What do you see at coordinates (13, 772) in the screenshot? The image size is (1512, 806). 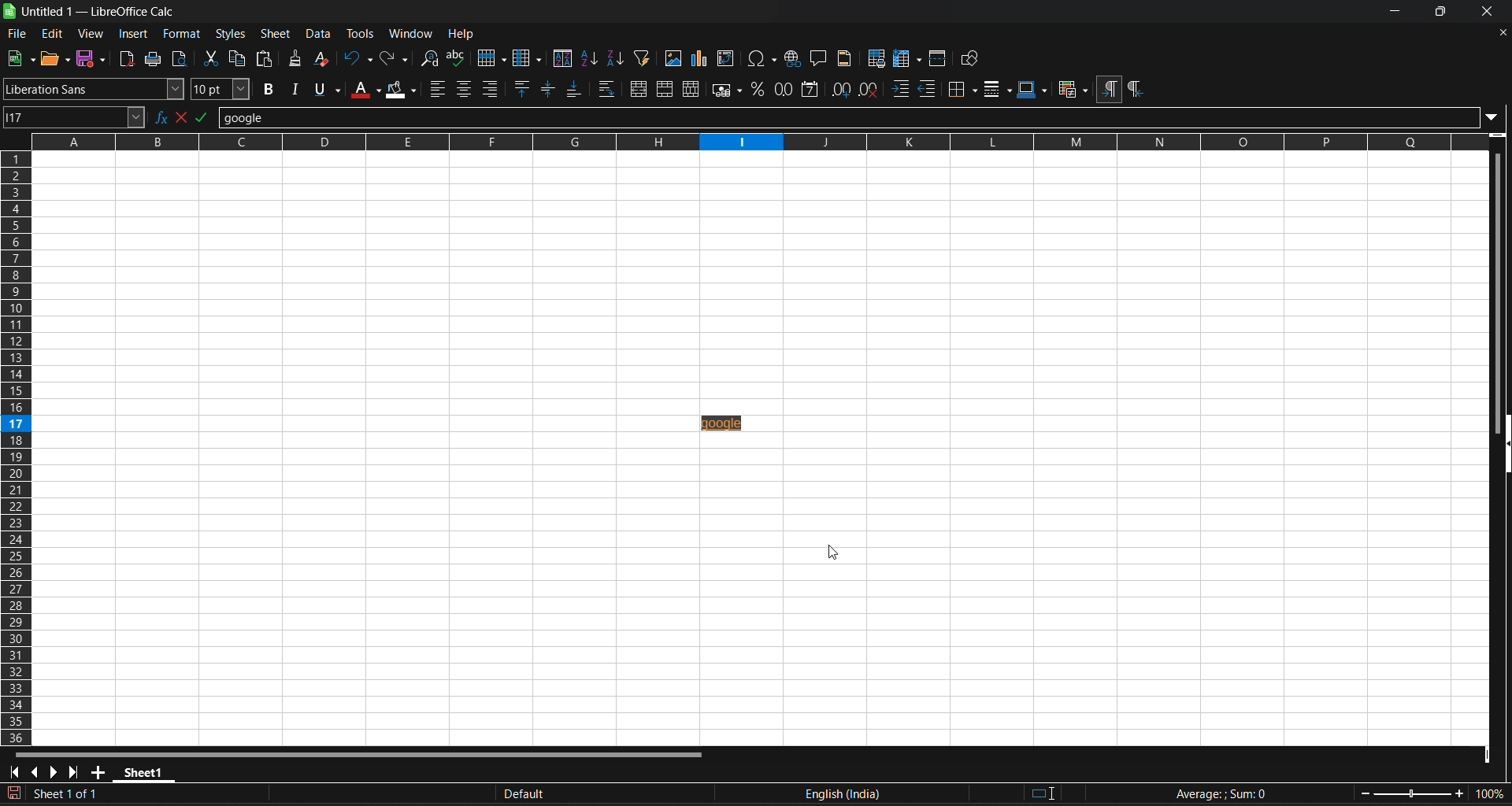 I see `scroll to first sheet` at bounding box center [13, 772].